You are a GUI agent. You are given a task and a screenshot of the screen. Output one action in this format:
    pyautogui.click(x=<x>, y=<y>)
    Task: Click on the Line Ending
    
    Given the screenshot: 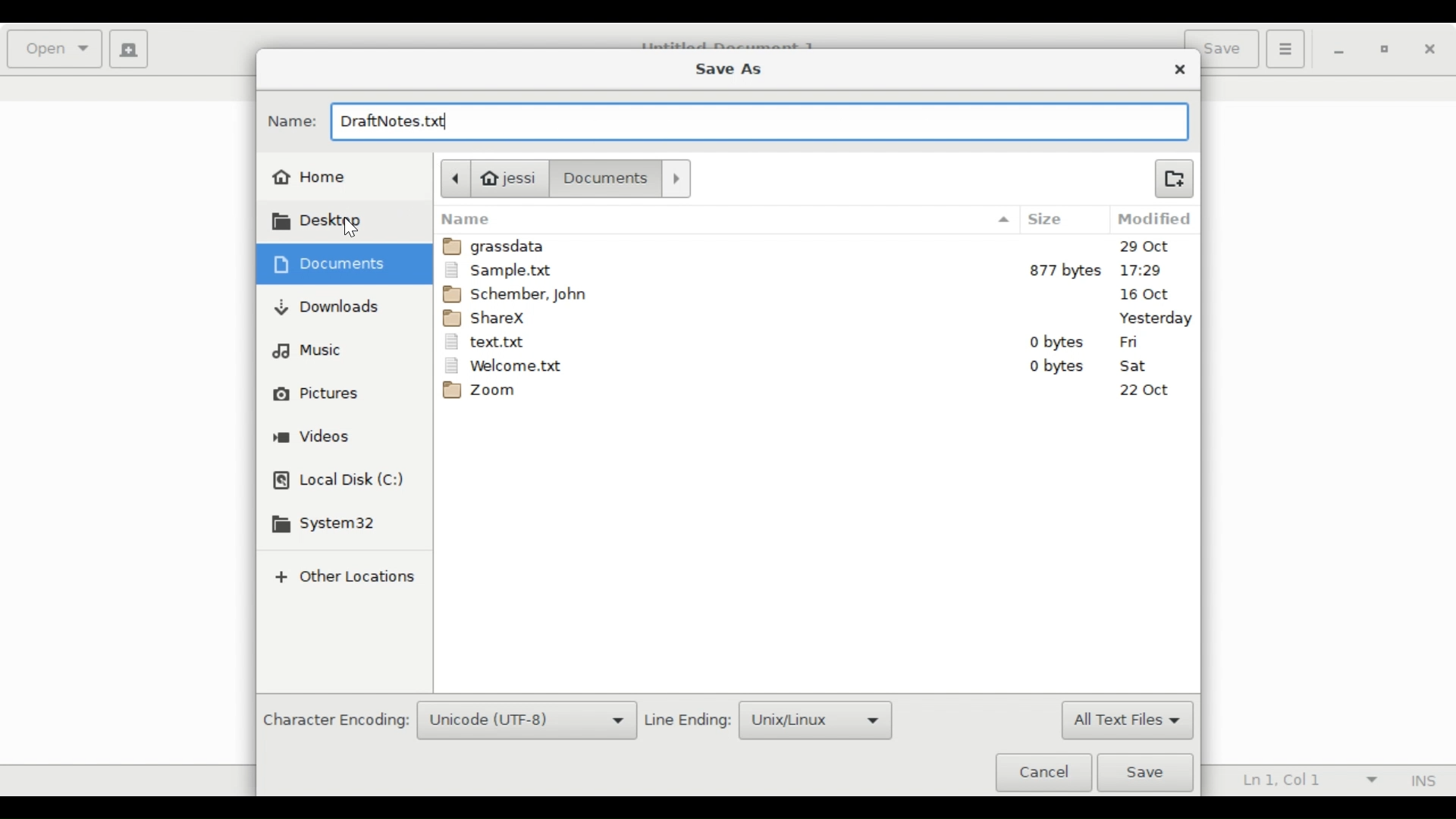 What is the action you would take?
    pyautogui.click(x=689, y=720)
    